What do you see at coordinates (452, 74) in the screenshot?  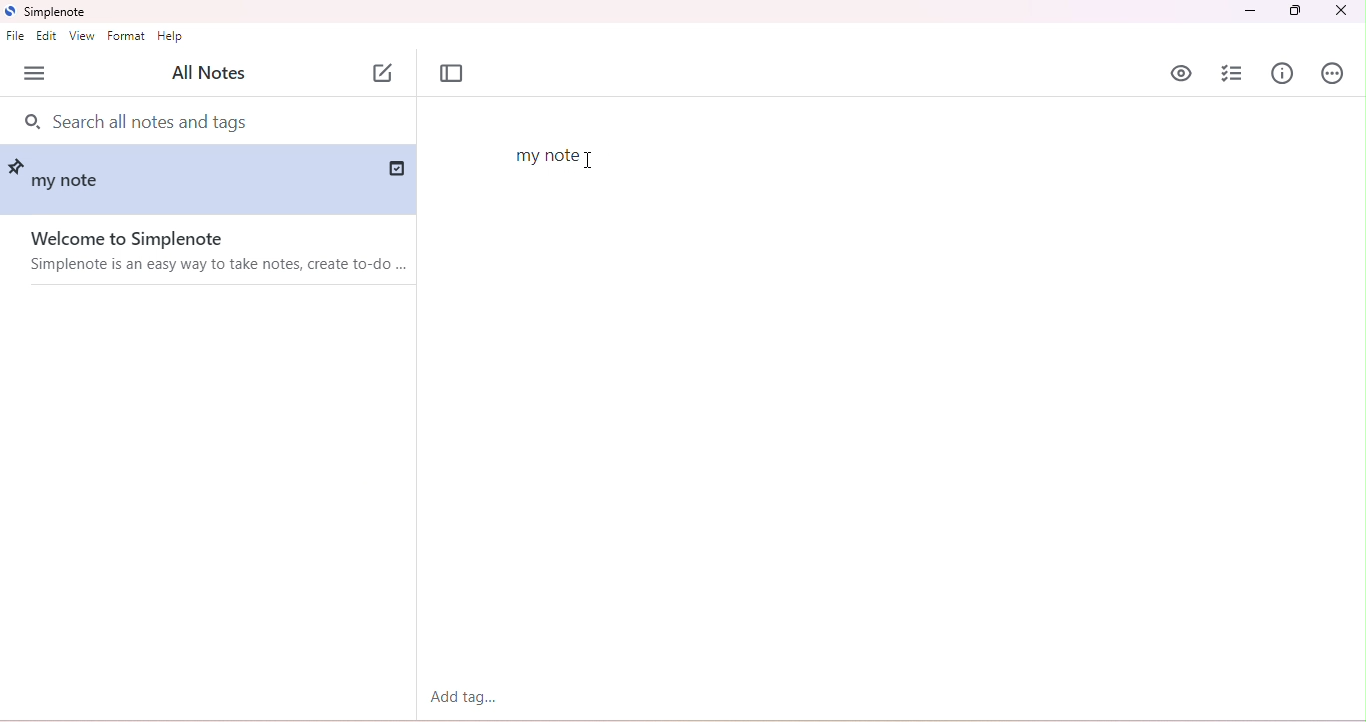 I see `toggle focus mode` at bounding box center [452, 74].